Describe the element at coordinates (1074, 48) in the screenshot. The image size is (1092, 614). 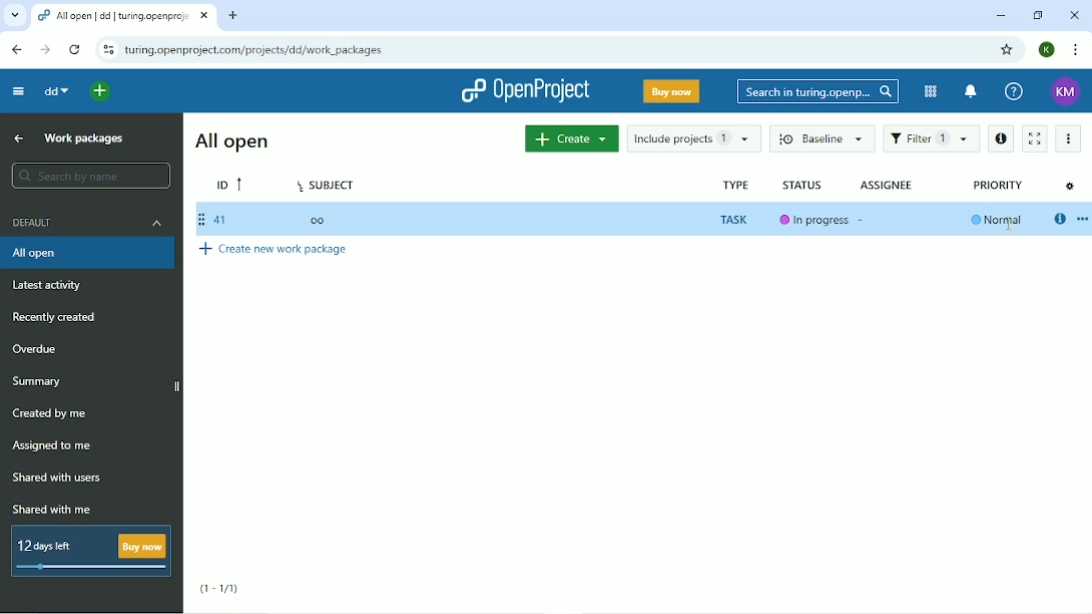
I see `Customize and control google chrome` at that location.